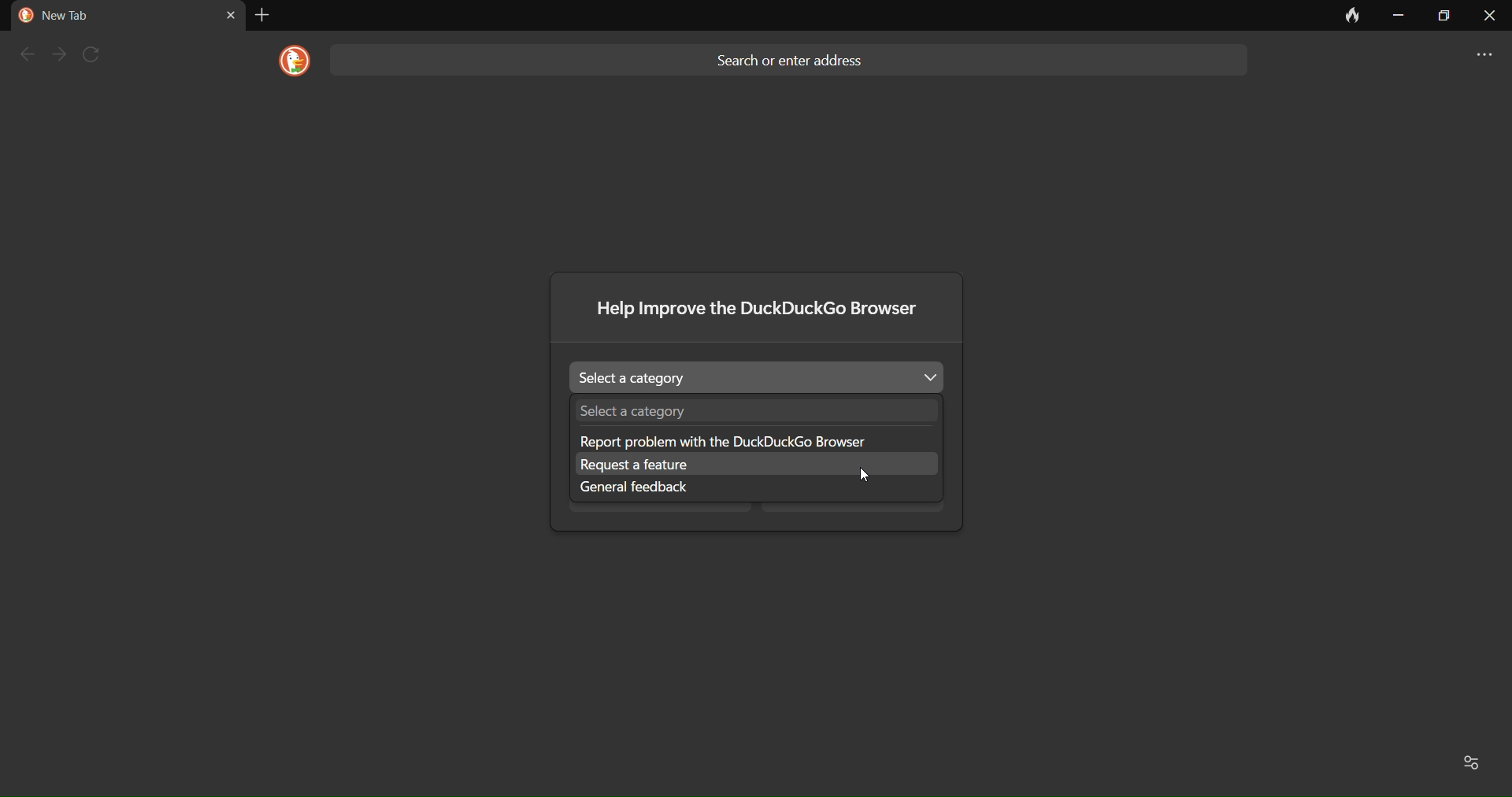 The width and height of the screenshot is (1512, 797). I want to click on refresh, so click(98, 54).